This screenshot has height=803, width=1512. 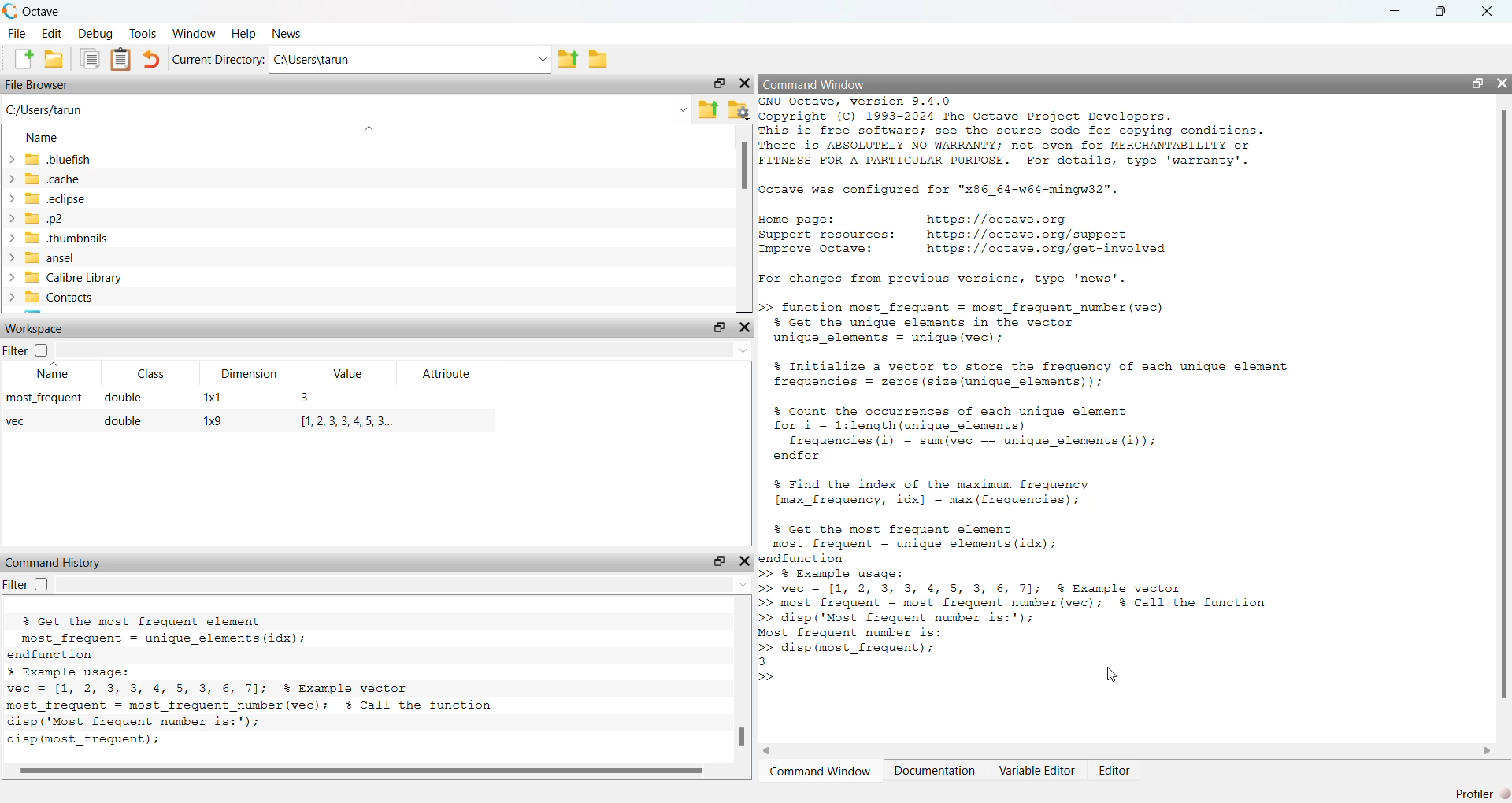 I want to click on GNU Octave, version 5.4.0

Copyright (C) 1993-2024 The Octave Project Developers.

This is free software; see the source code for copying conditions.
There is ABSOLUTELY NO WARRANTY; not even for MERCHANTABILITY or
FITNESS FOR A PARTICULAR PURPOSE. For details, type 'warranty’.
Octave was configured for "x86_64-w64-mingw32".

Home page: https: //octave.org

Support resources:  https://octave.org/support

Improve Octave: https: //octave.org/get-involved

For changes from previous versions, type ‘news’., so click(x=1014, y=194).